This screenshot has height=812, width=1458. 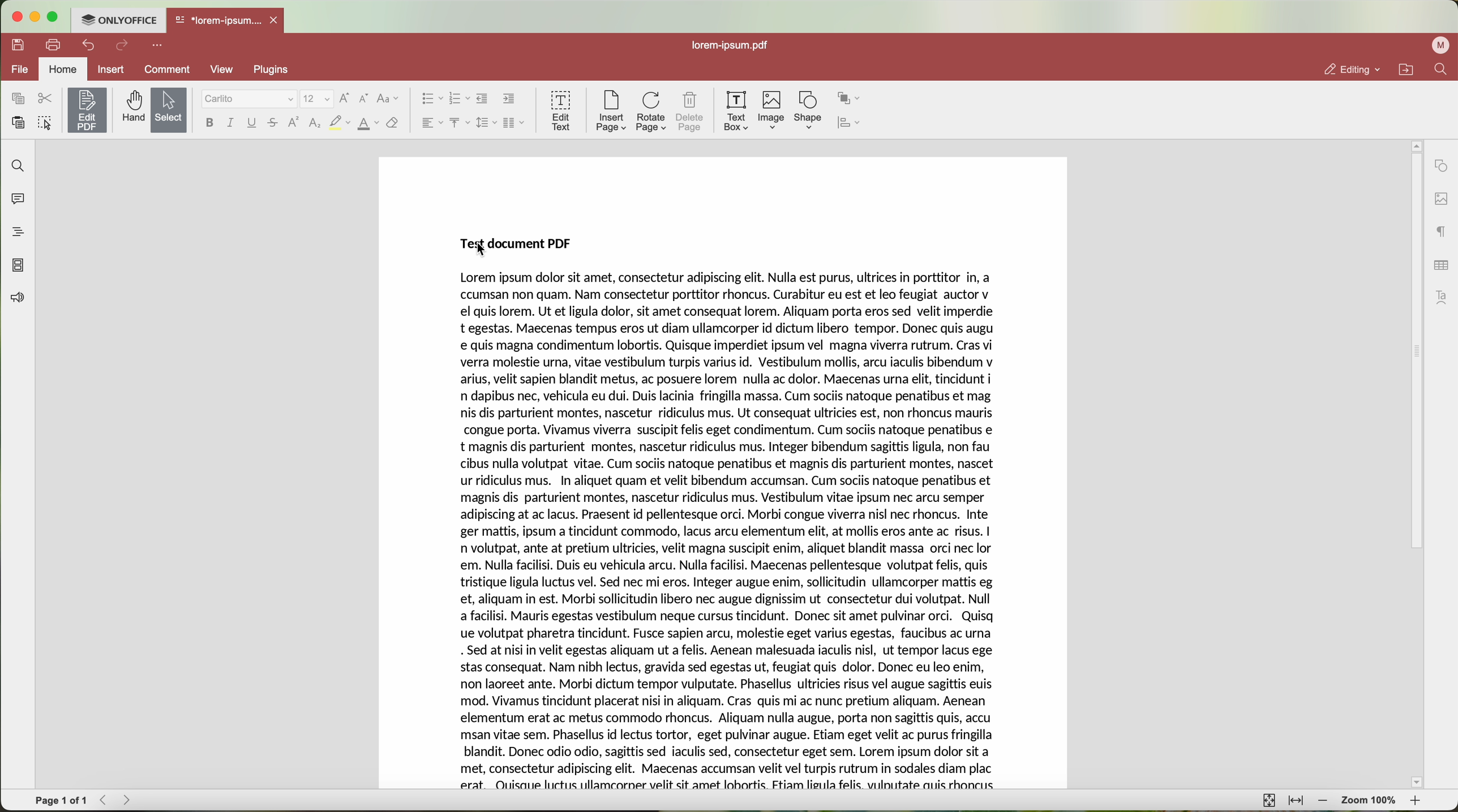 I want to click on headings, so click(x=15, y=233).